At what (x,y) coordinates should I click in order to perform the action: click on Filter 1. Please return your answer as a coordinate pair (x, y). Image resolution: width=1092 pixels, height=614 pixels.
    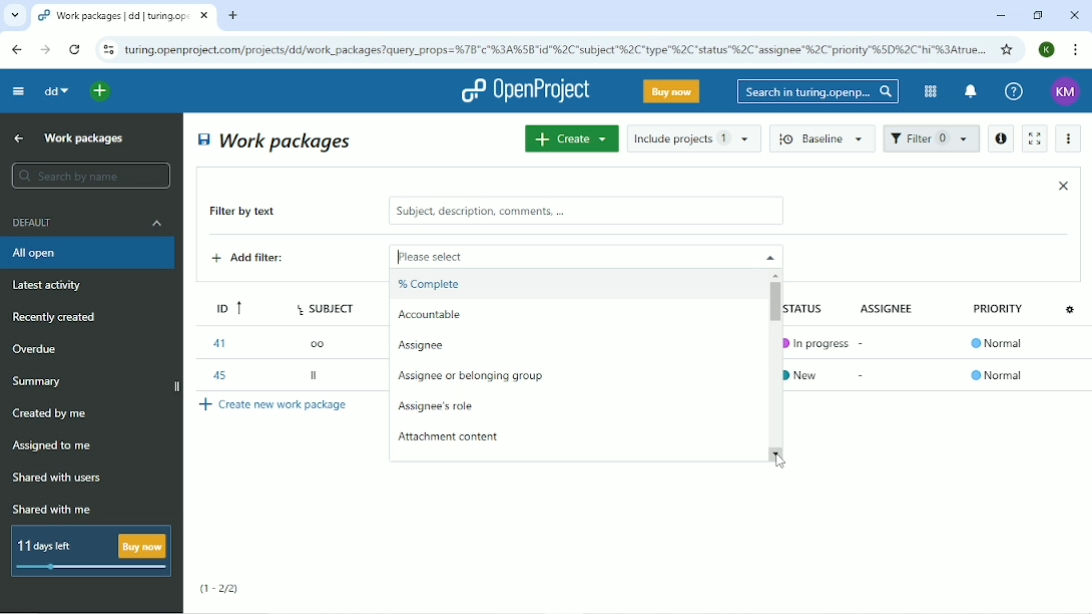
    Looking at the image, I should click on (931, 140).